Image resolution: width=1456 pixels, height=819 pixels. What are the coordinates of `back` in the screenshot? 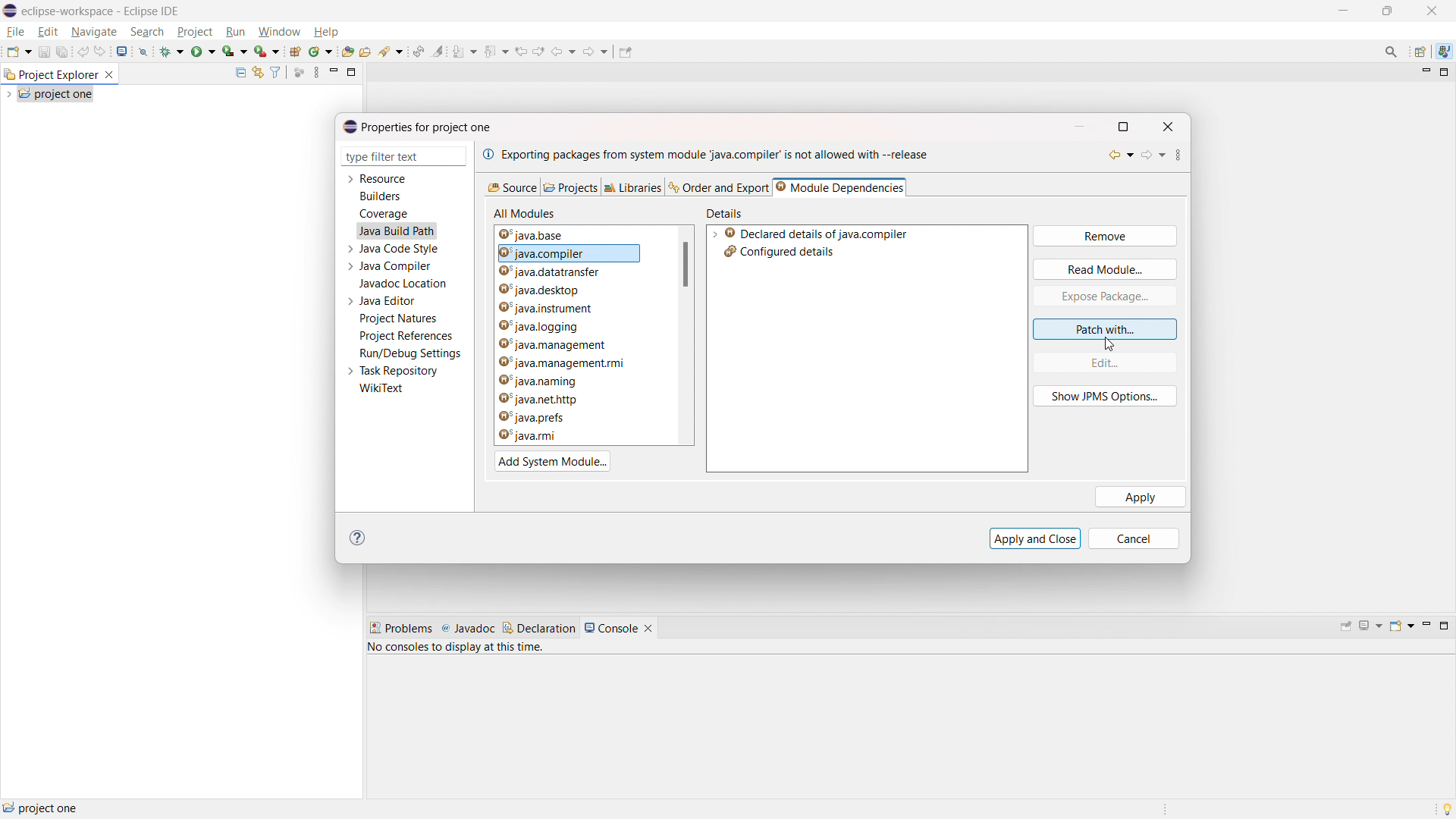 It's located at (1116, 155).